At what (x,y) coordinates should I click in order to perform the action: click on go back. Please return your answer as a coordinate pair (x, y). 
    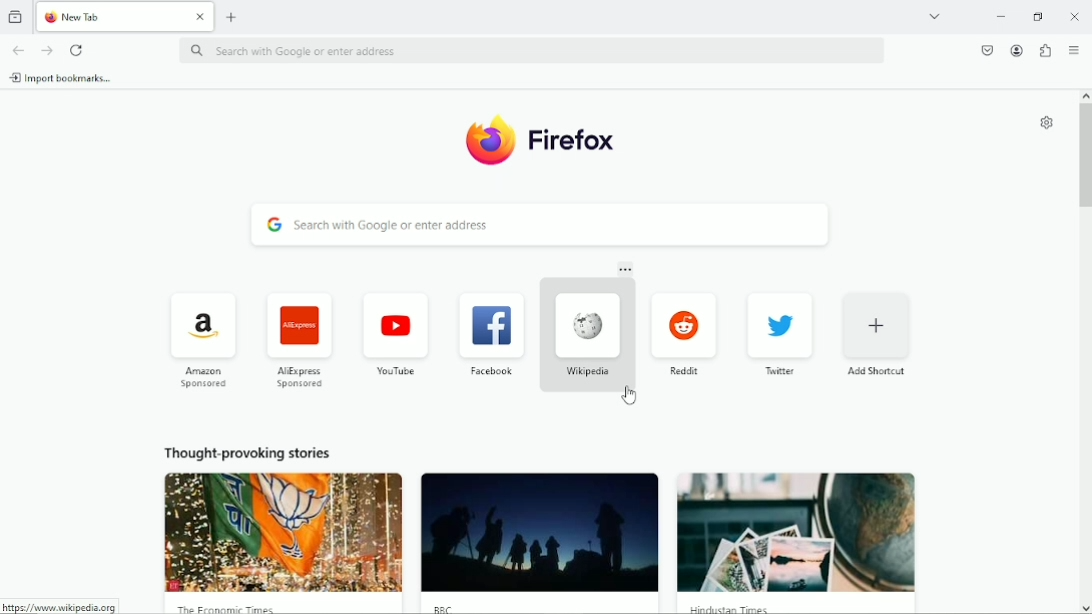
    Looking at the image, I should click on (17, 49).